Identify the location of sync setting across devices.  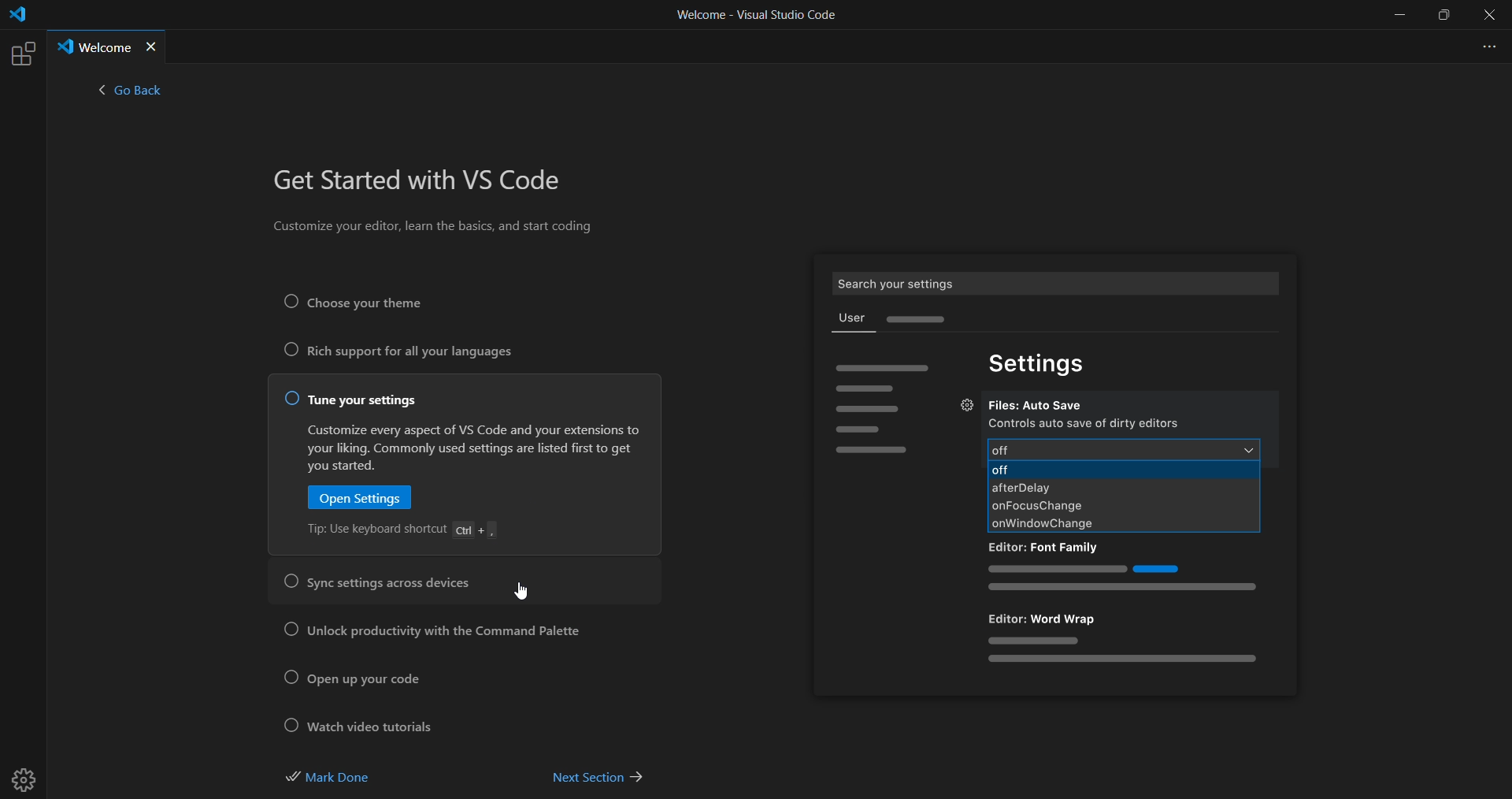
(378, 584).